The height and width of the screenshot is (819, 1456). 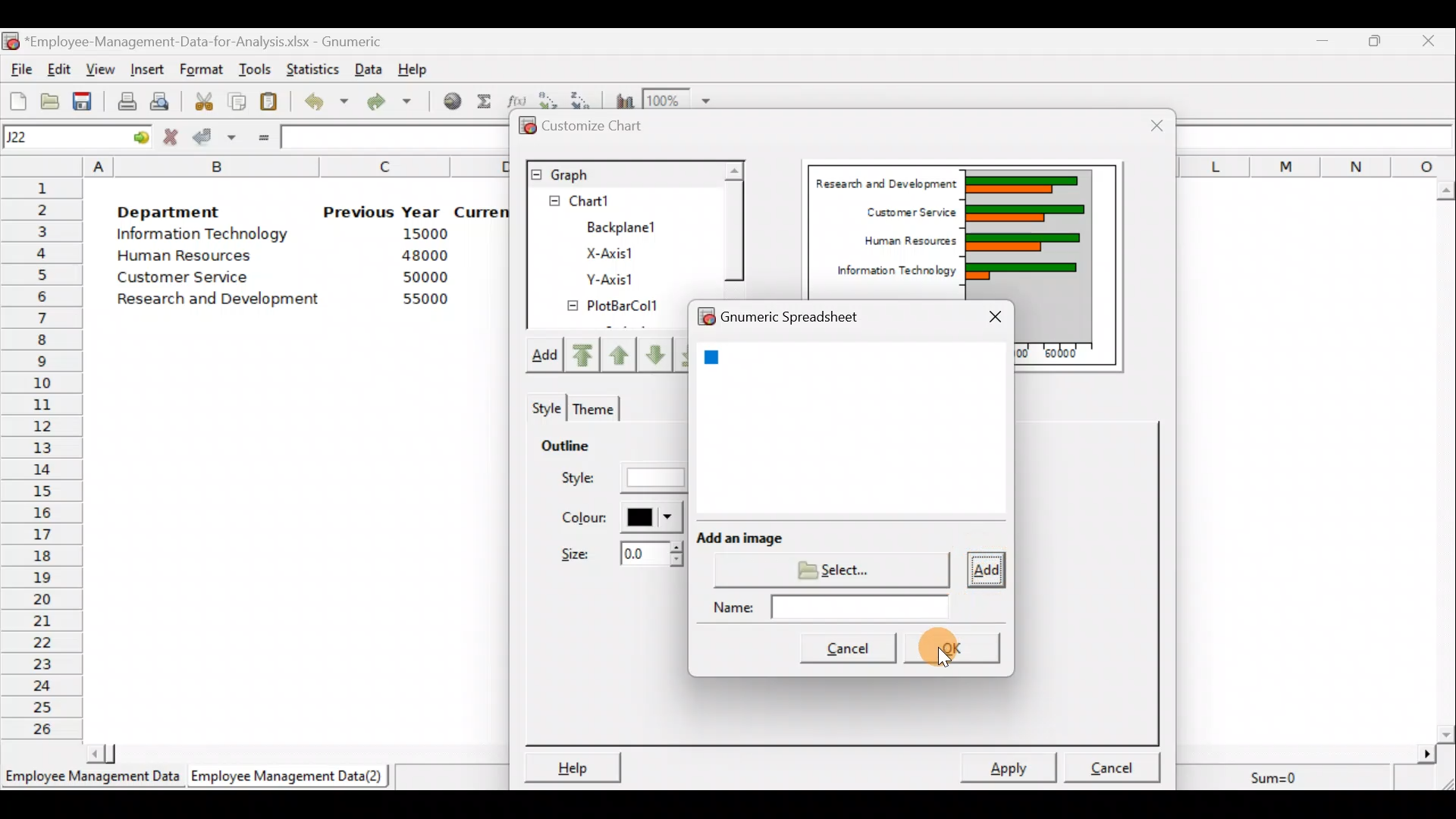 I want to click on Cursor on OK, so click(x=977, y=645).